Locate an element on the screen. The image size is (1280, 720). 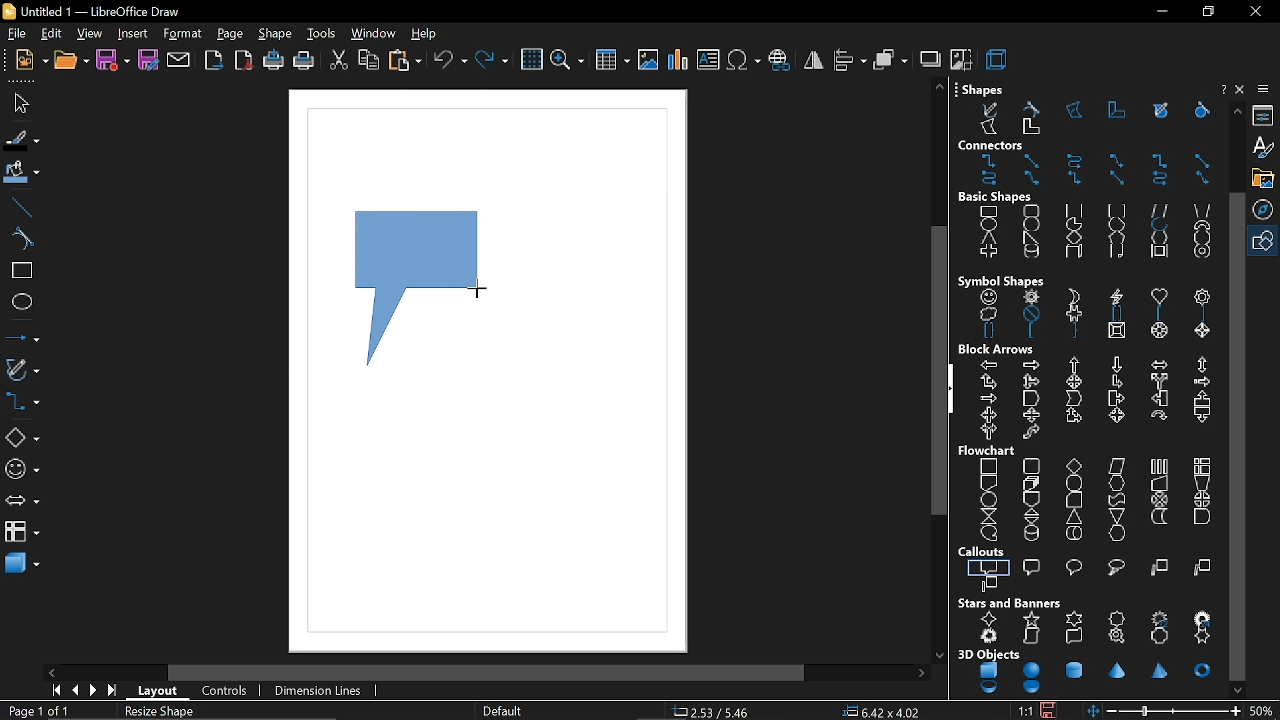
flowchart is located at coordinates (989, 451).